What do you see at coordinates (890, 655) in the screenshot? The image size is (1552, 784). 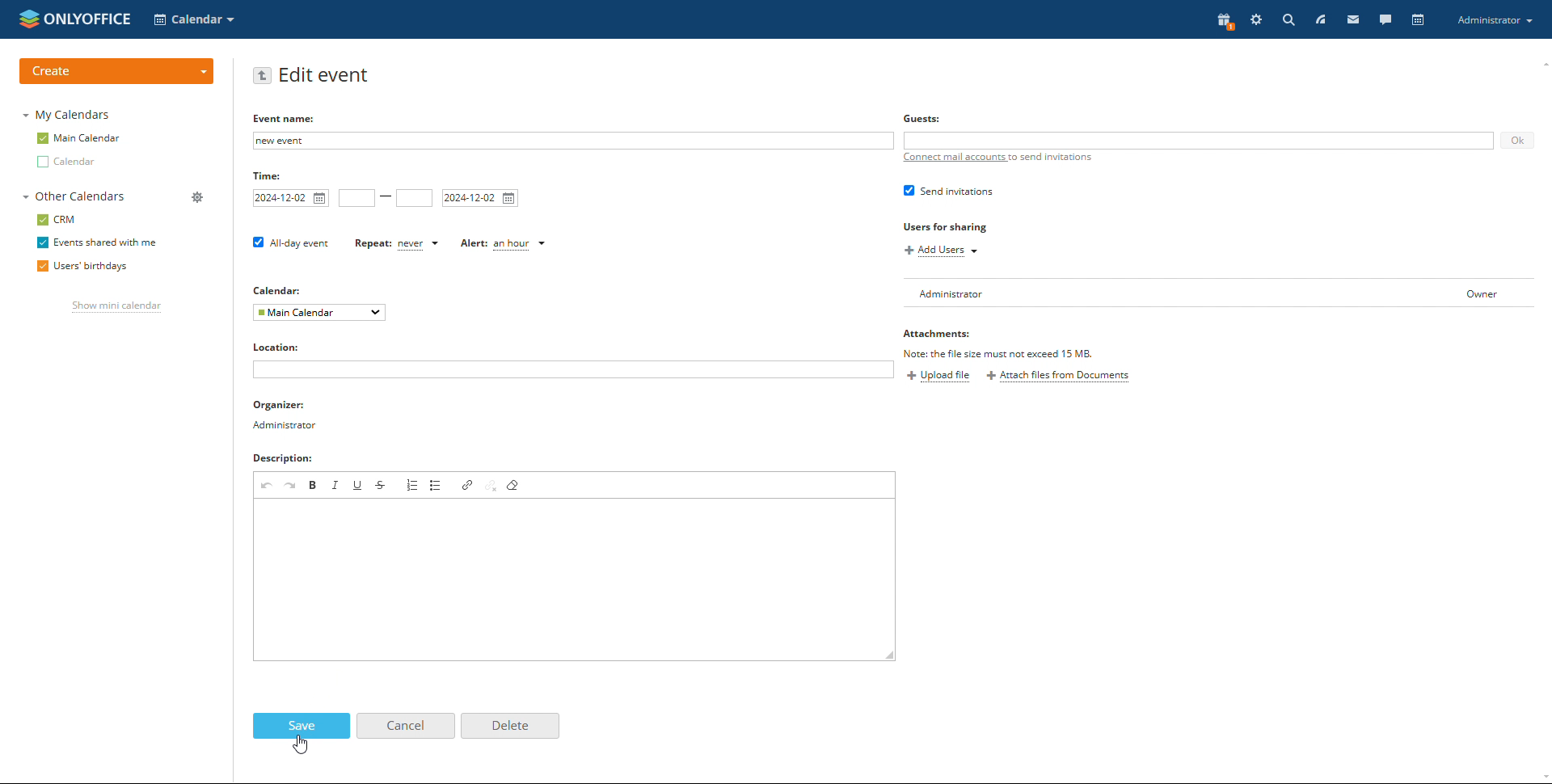 I see `resize box` at bounding box center [890, 655].